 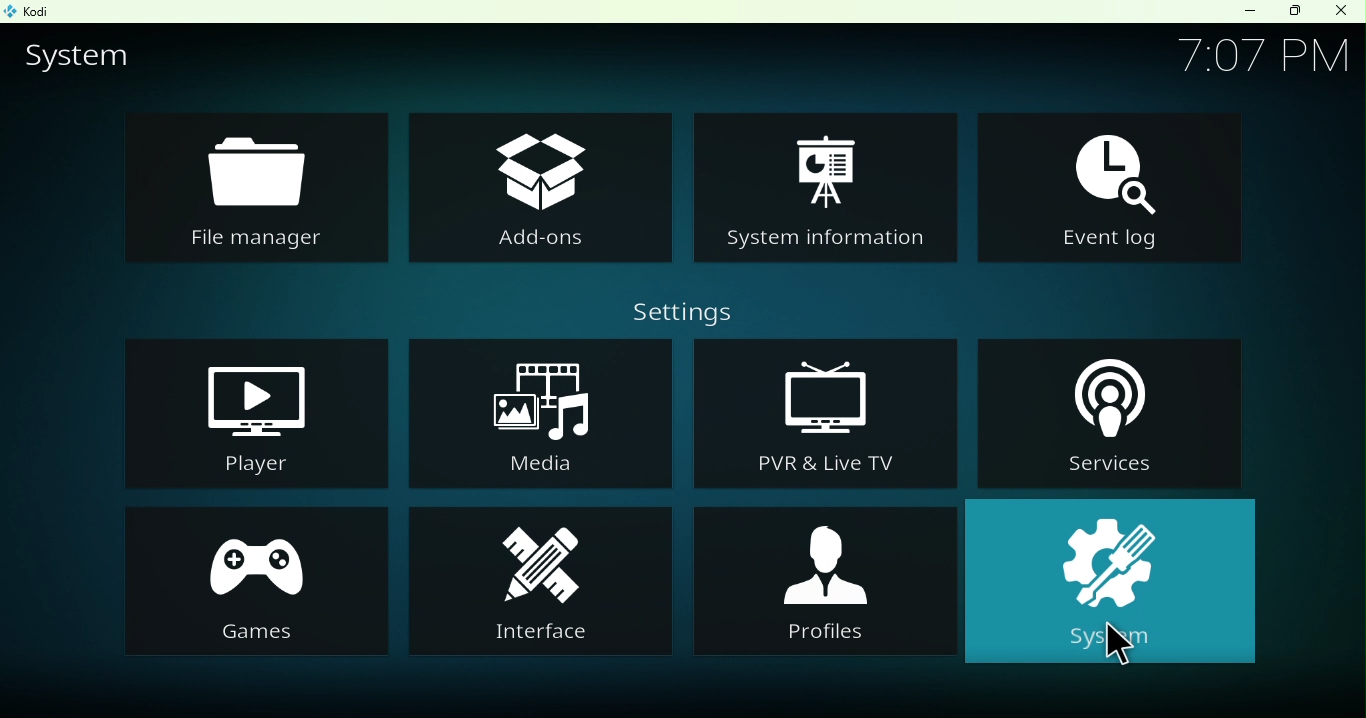 I want to click on Settings, so click(x=674, y=311).